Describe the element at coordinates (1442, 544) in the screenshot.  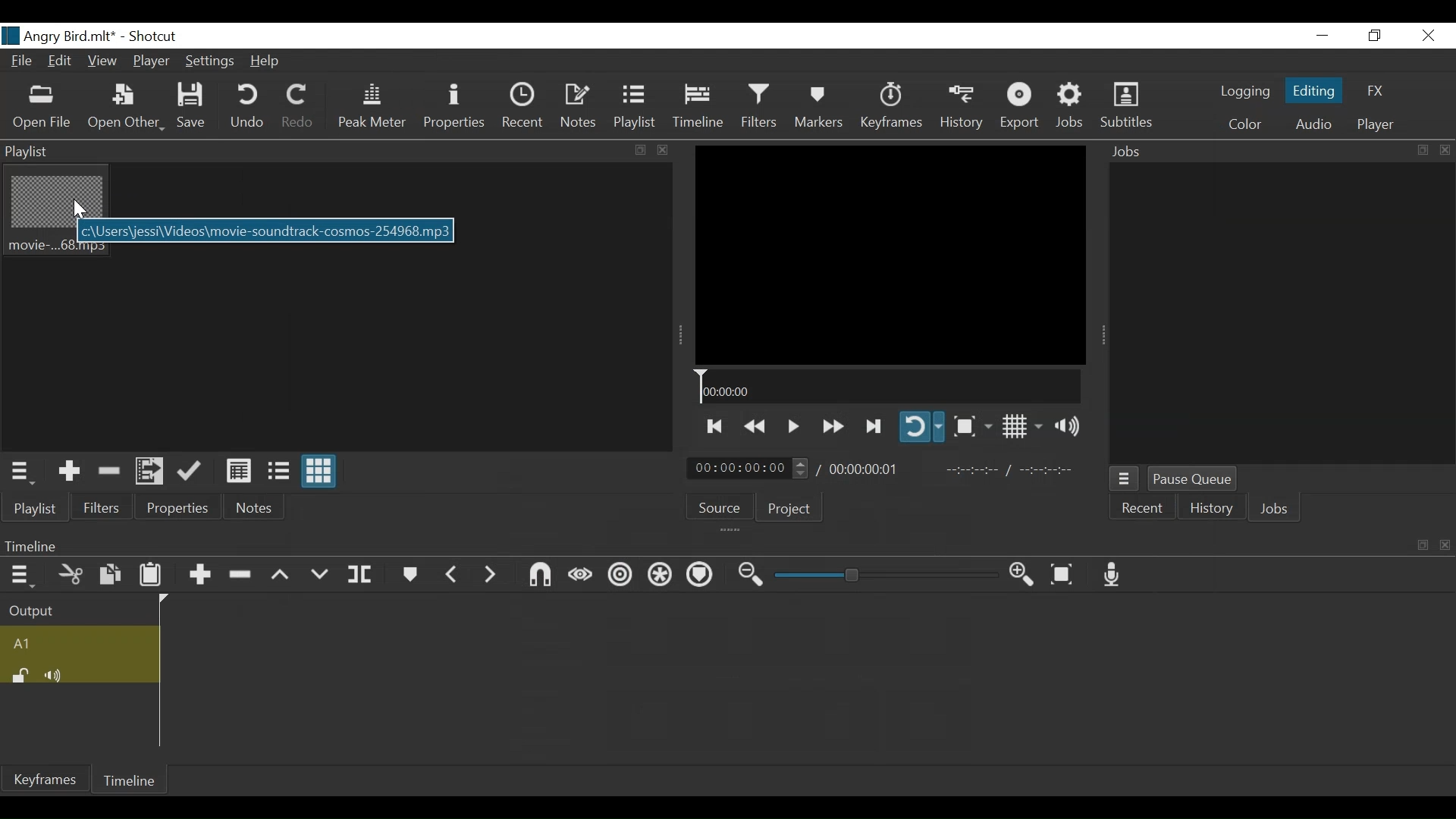
I see `close` at that location.